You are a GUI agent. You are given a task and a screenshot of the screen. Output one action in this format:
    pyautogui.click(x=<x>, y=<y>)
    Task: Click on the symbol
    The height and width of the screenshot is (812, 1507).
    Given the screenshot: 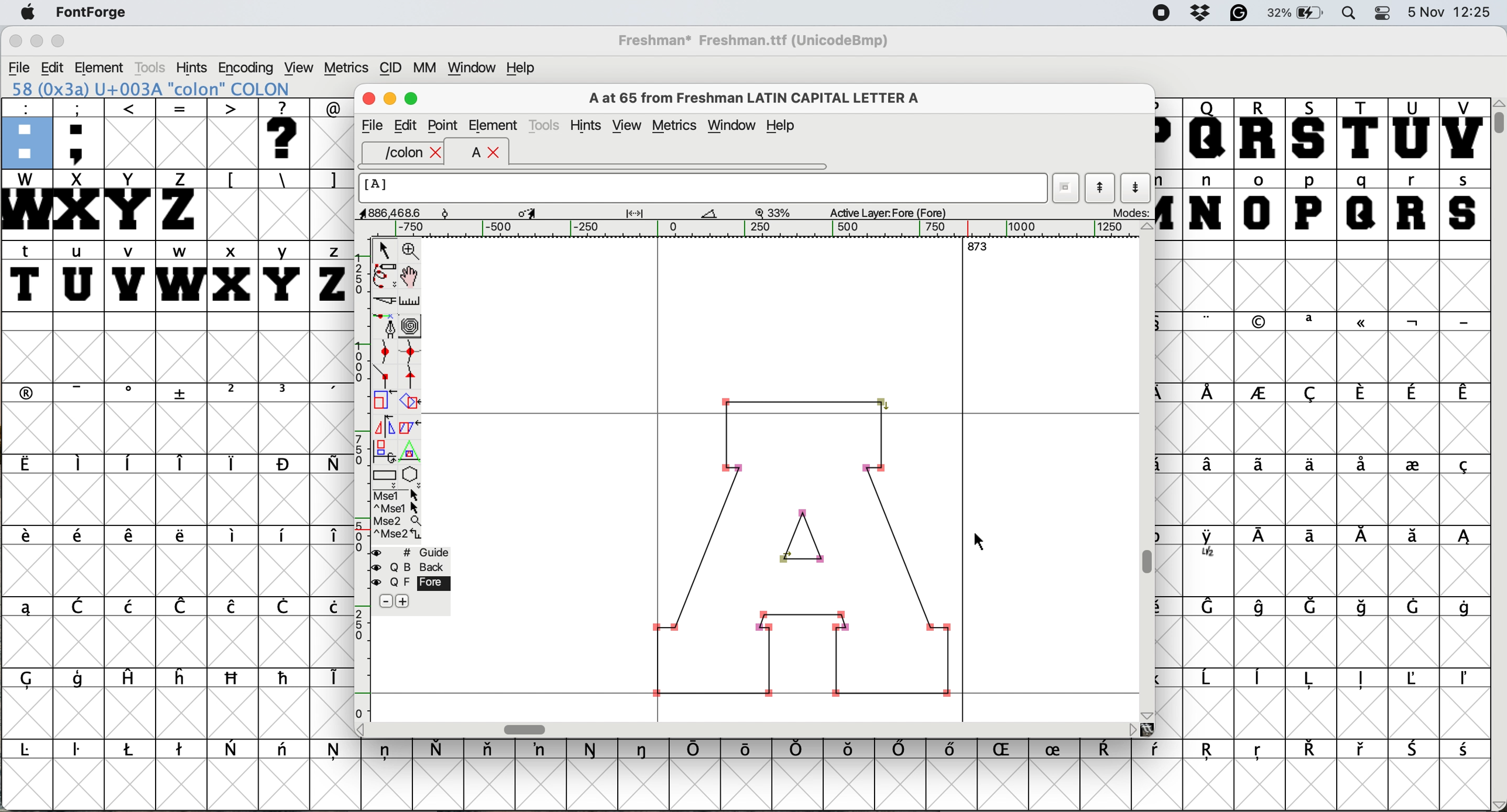 What is the action you would take?
    pyautogui.click(x=491, y=752)
    